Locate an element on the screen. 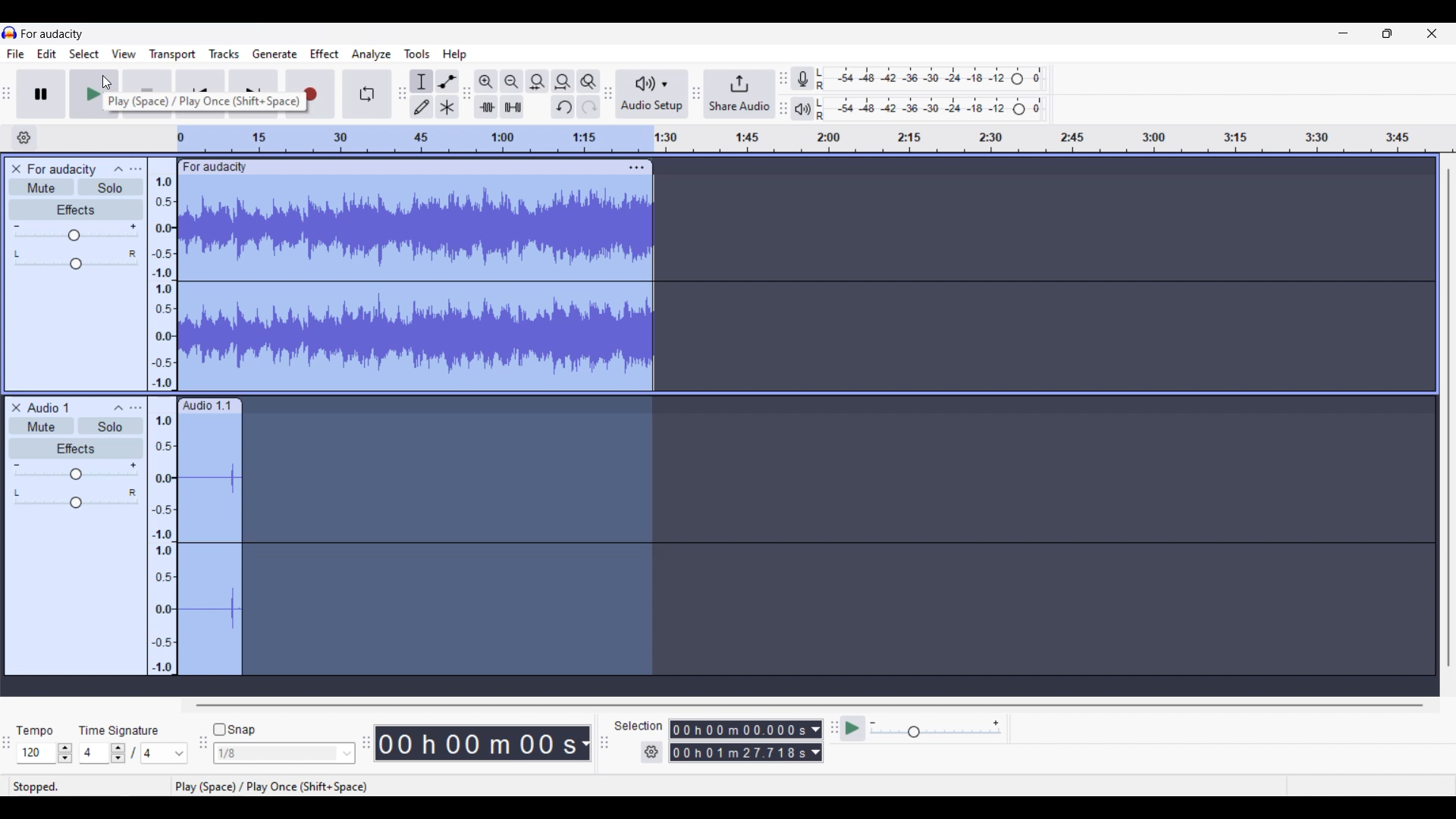 The height and width of the screenshot is (819, 1456). Edit is located at coordinates (47, 54).